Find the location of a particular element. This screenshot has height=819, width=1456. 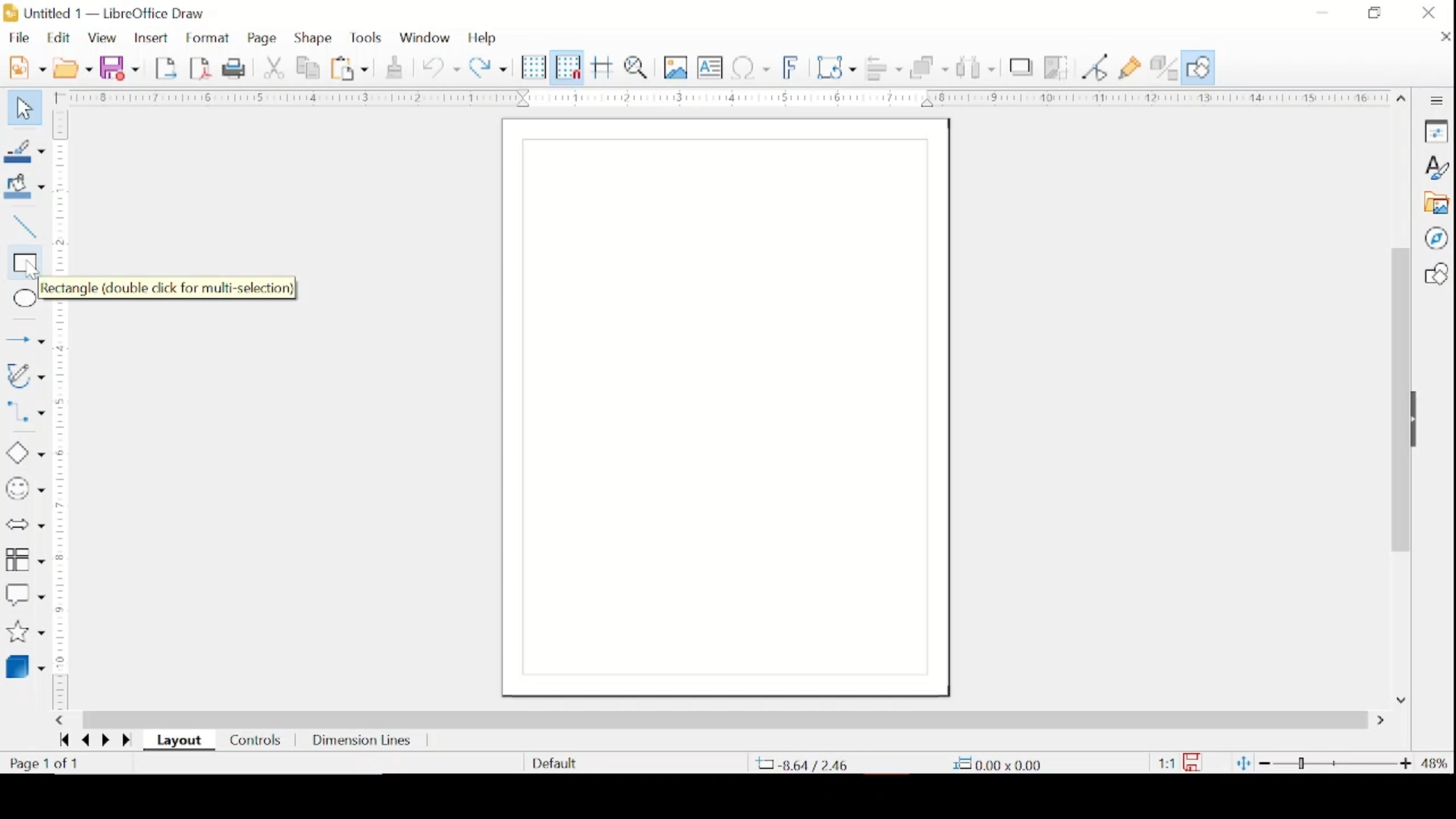

show draw functions is located at coordinates (1198, 67).